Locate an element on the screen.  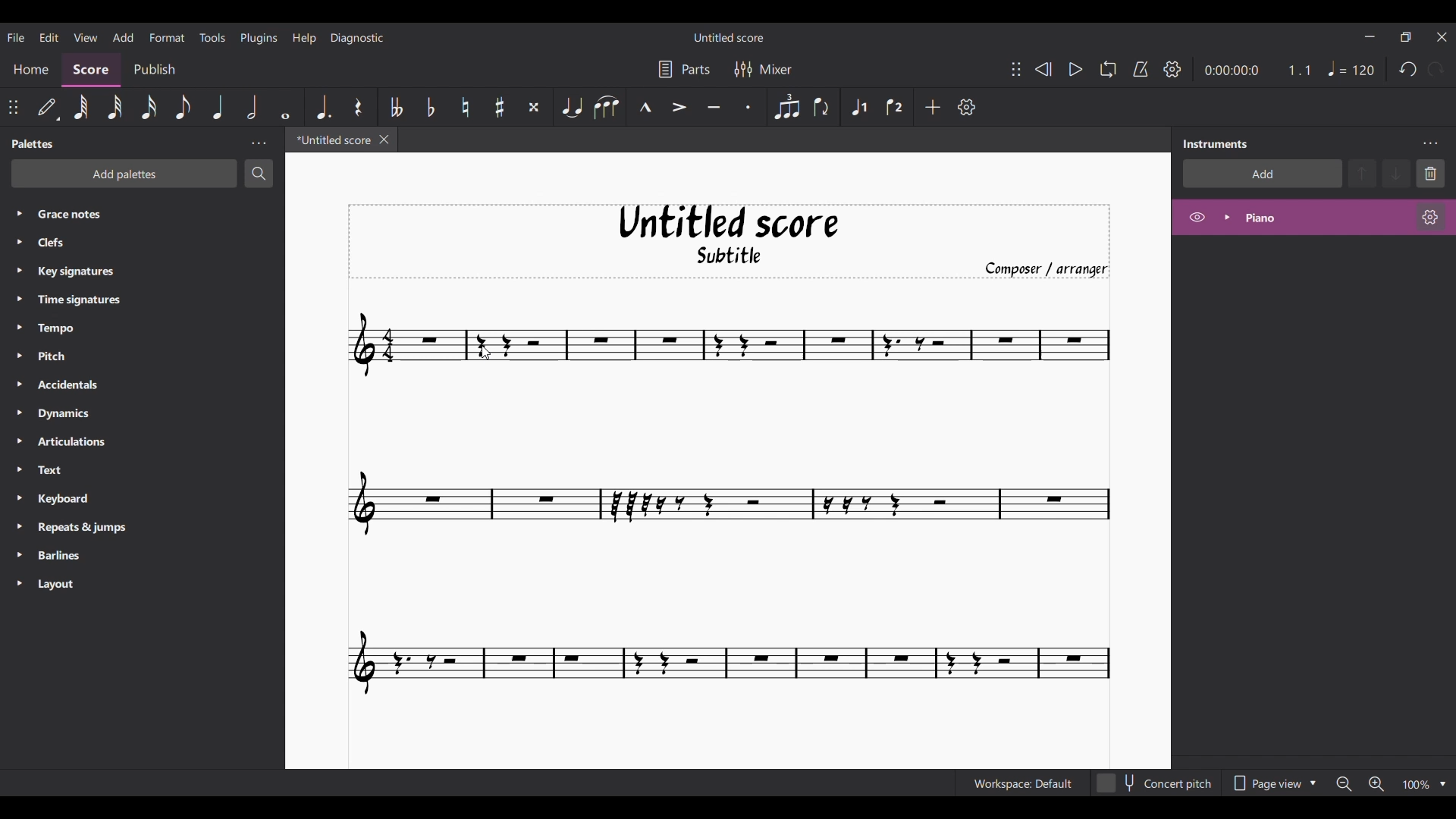
Staccato is located at coordinates (747, 108).